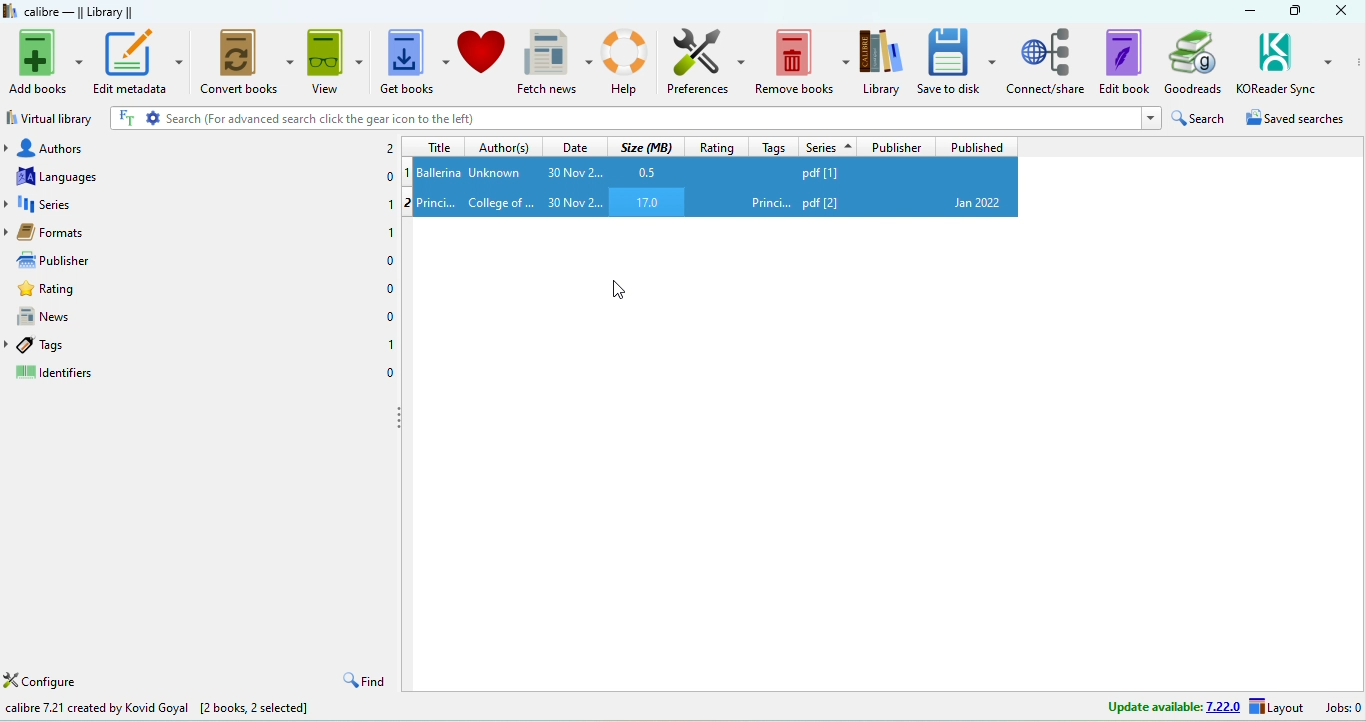  Describe the element at coordinates (50, 117) in the screenshot. I see `virtual library` at that location.